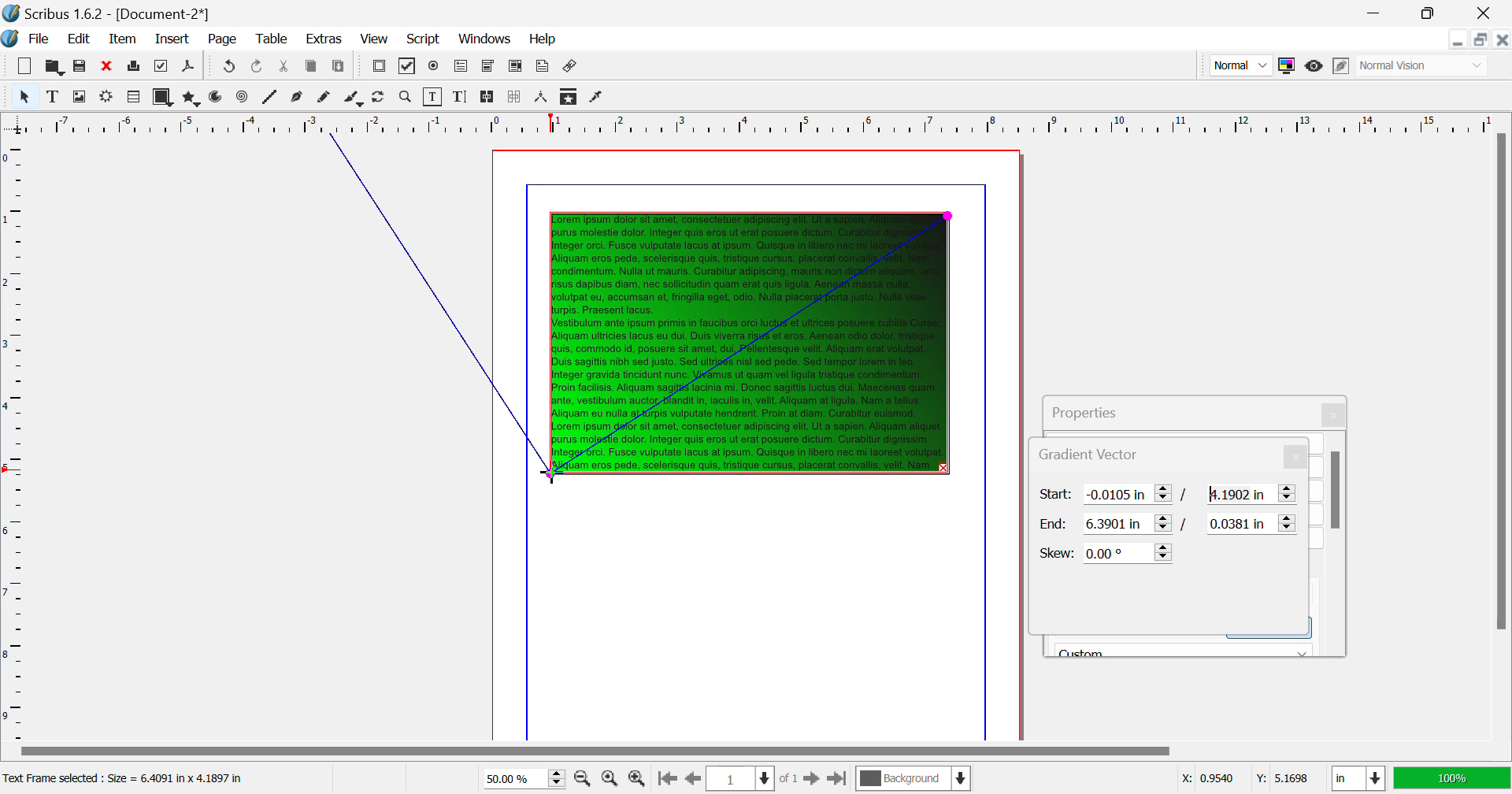 The image size is (1512, 794). What do you see at coordinates (273, 40) in the screenshot?
I see `Table` at bounding box center [273, 40].